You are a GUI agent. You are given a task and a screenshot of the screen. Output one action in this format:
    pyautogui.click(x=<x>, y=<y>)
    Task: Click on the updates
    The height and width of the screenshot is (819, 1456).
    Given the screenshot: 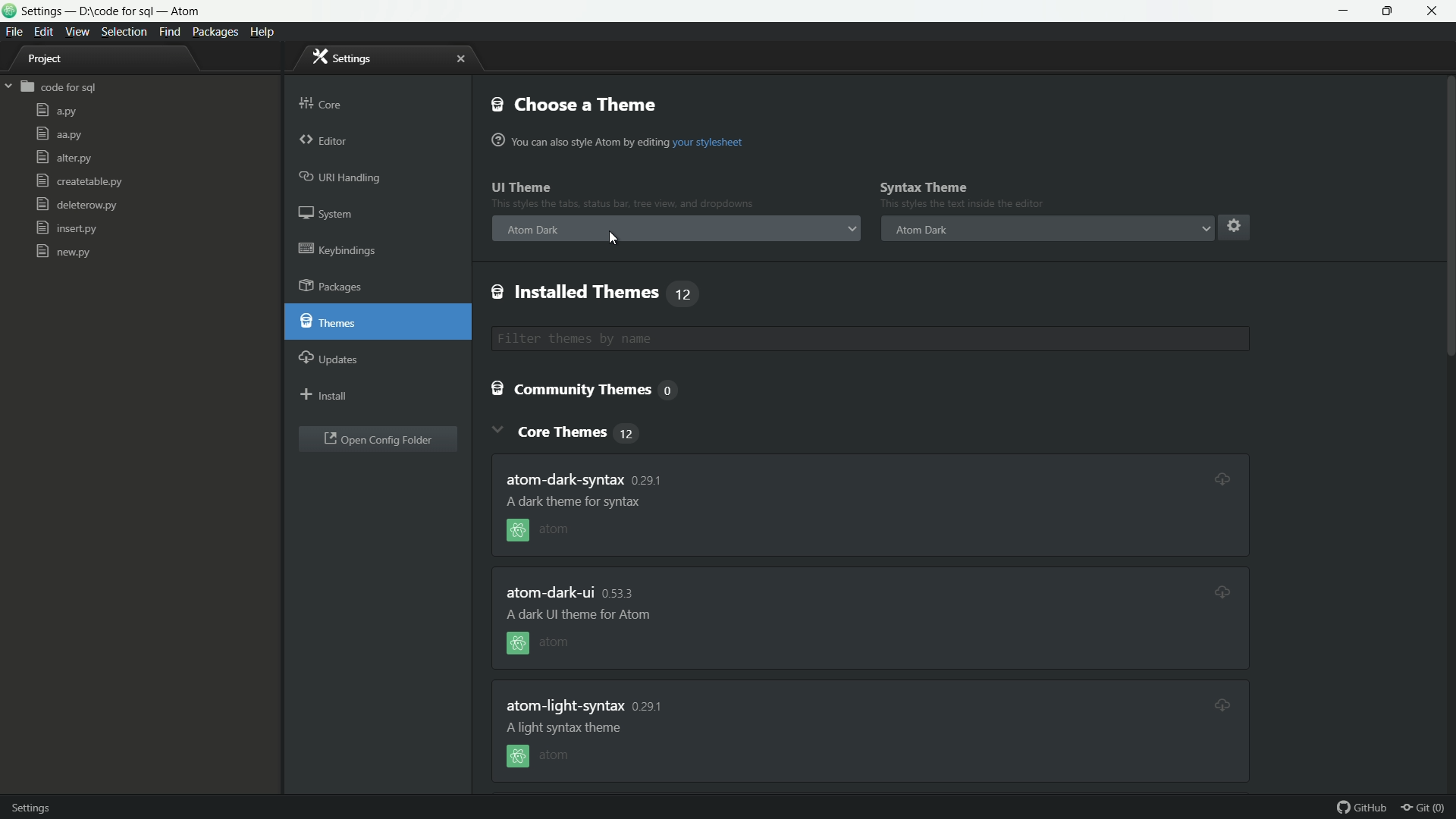 What is the action you would take?
    pyautogui.click(x=330, y=357)
    